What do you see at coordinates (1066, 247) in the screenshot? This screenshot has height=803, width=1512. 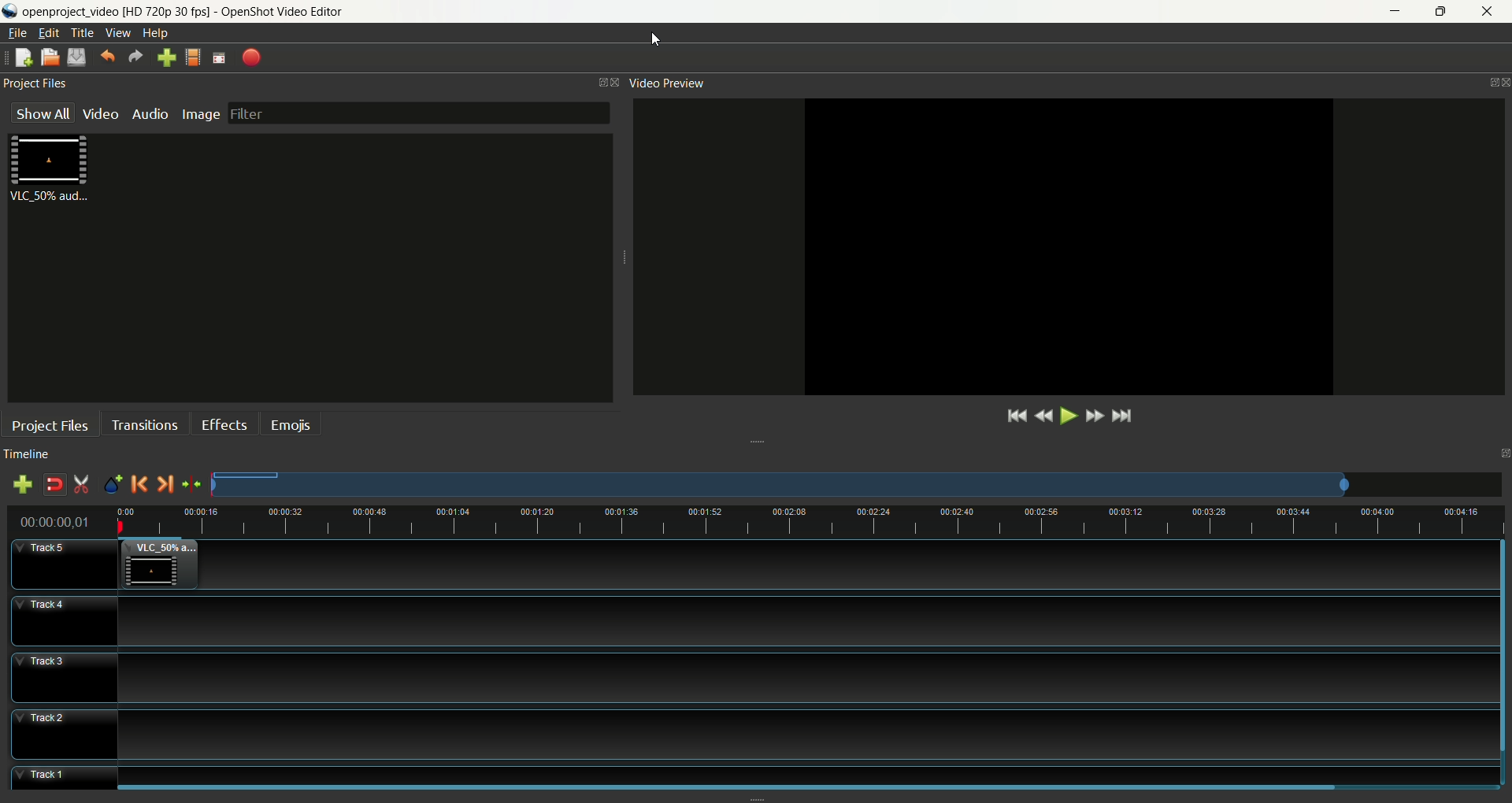 I see `preview` at bounding box center [1066, 247].